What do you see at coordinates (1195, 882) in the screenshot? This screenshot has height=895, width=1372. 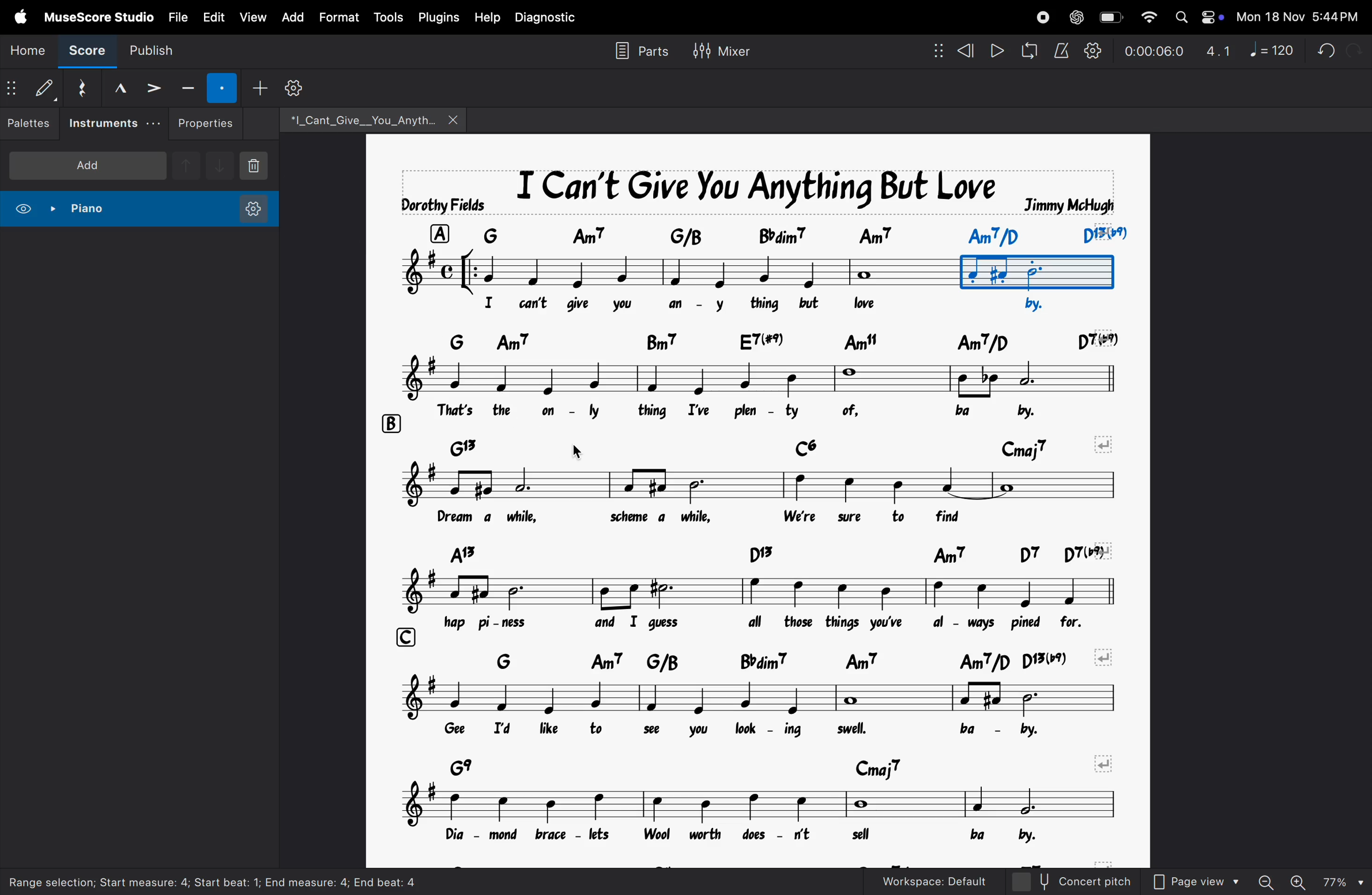 I see `page view` at bounding box center [1195, 882].